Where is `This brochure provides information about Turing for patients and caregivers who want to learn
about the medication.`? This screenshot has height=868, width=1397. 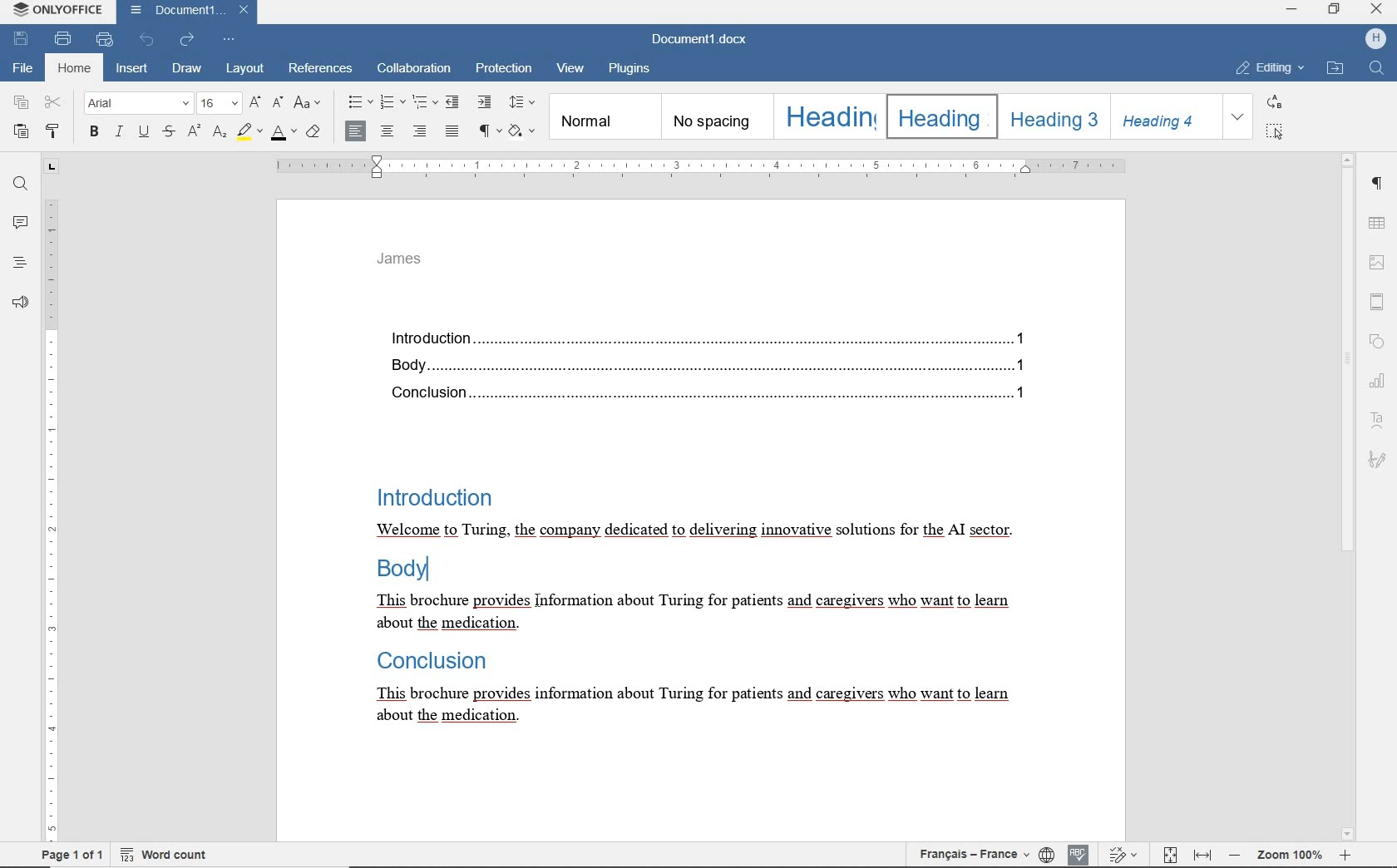
This brochure provides information about Turing for patients and caregivers who want to learn
about the medication. is located at coordinates (689, 615).